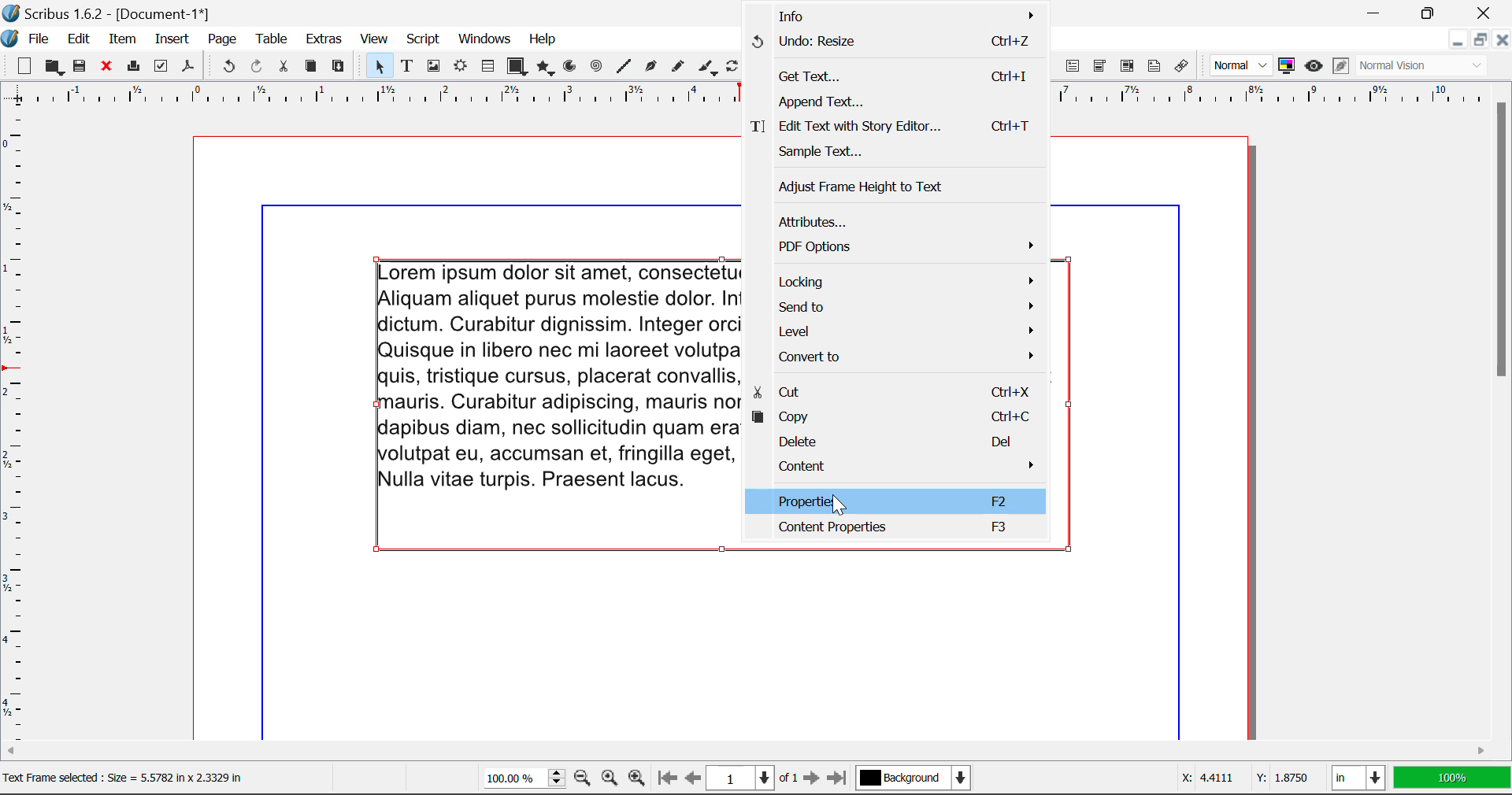 The image size is (1512, 795). Describe the element at coordinates (433, 68) in the screenshot. I see `Image Frame` at that location.